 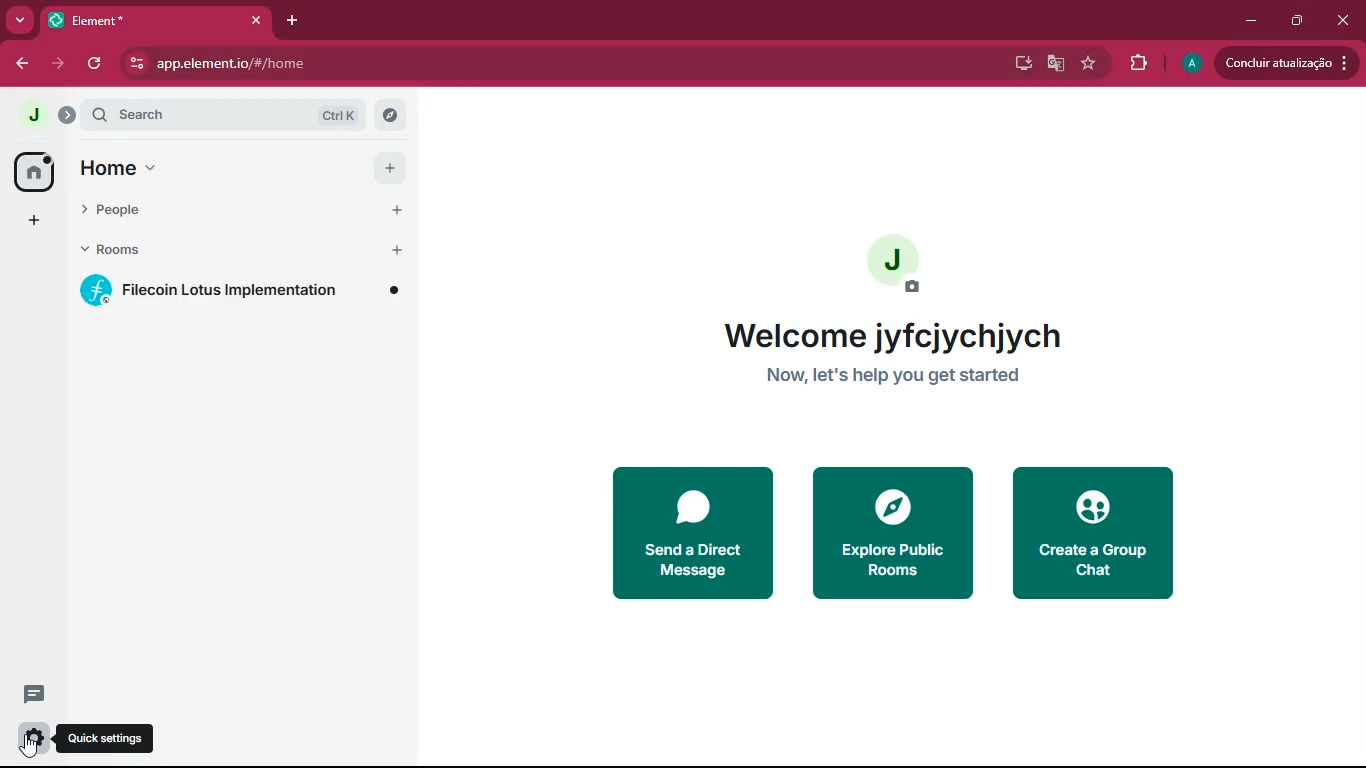 I want to click on people, so click(x=133, y=211).